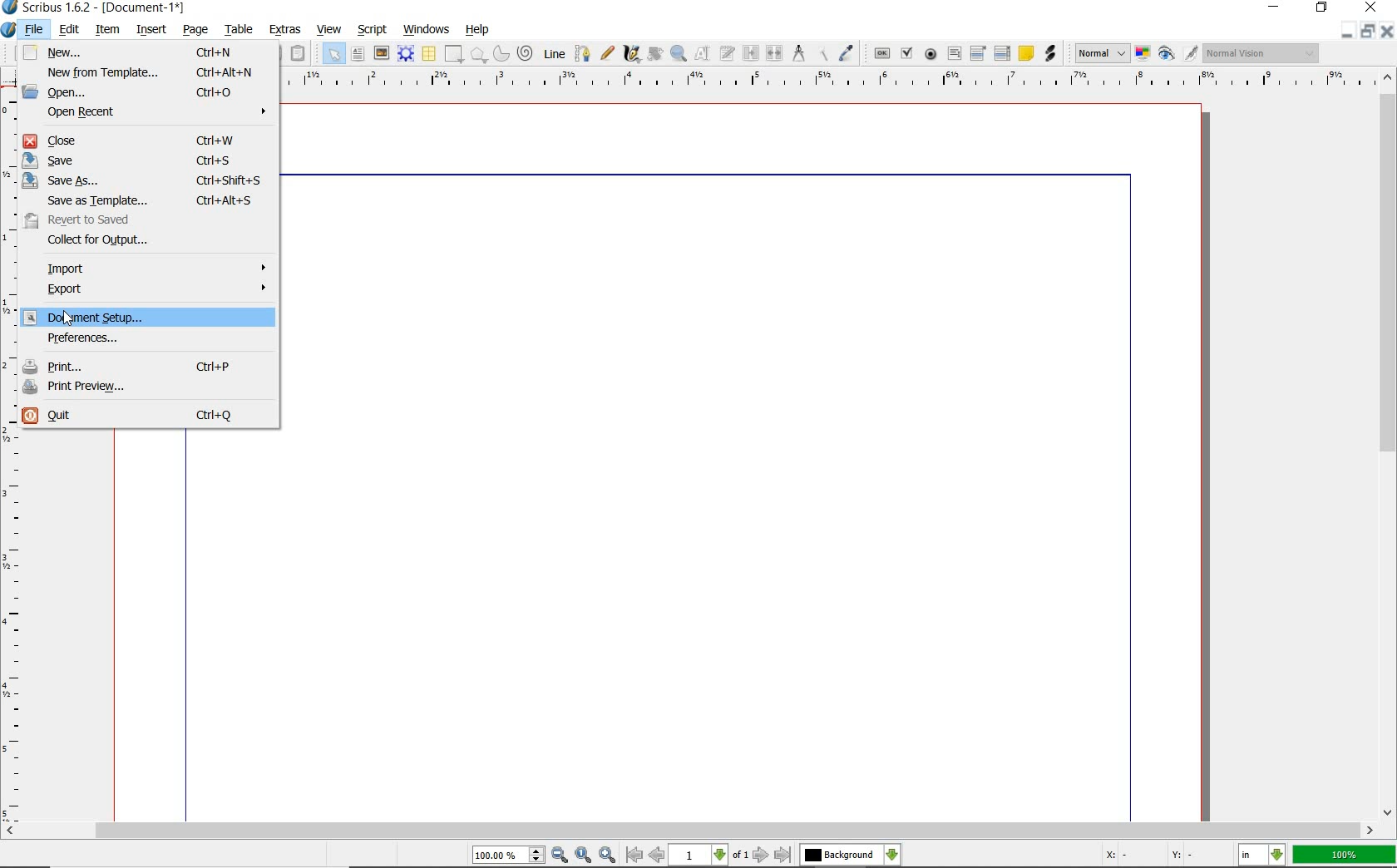 Image resolution: width=1397 pixels, height=868 pixels. I want to click on Line, so click(554, 54).